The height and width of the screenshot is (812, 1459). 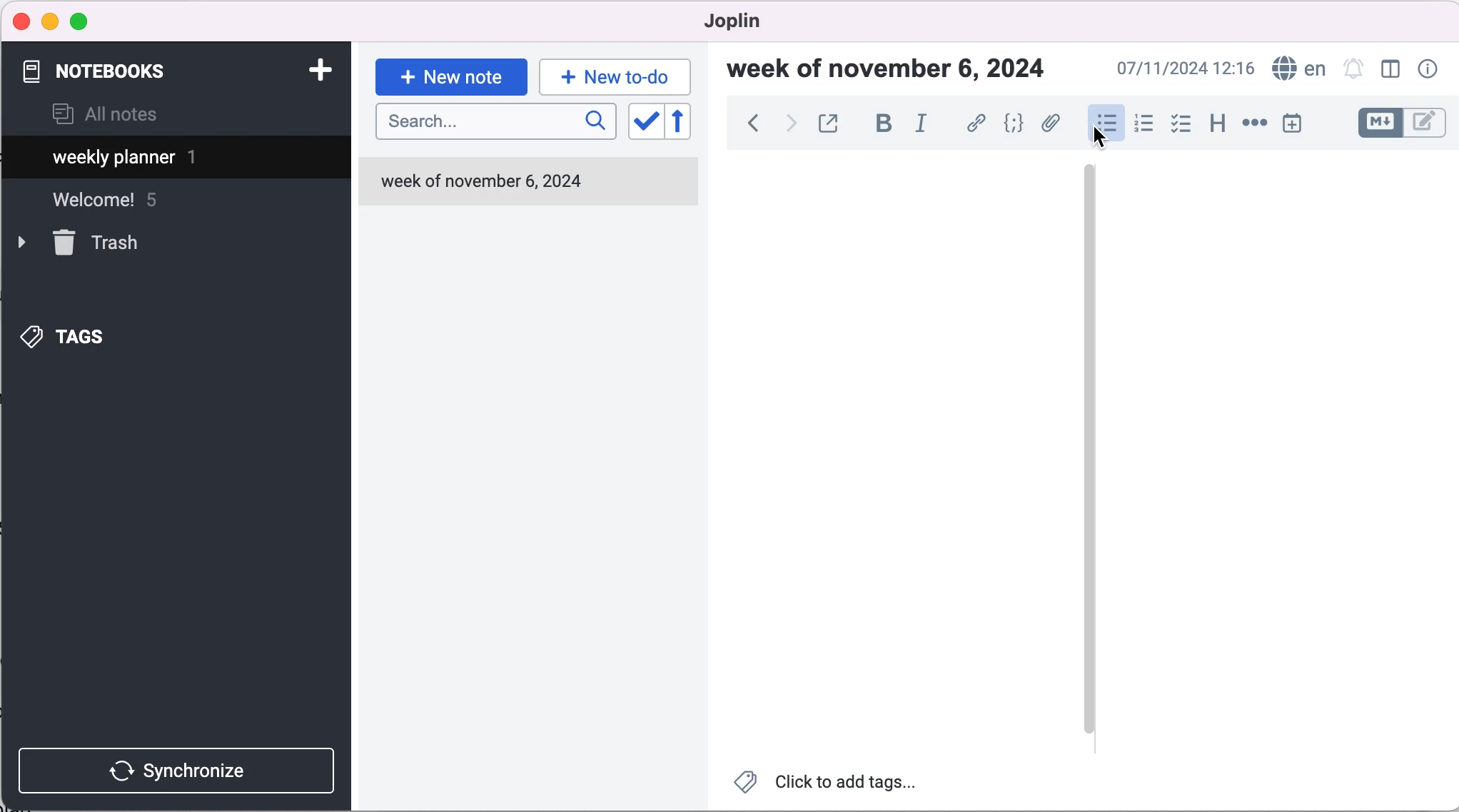 What do you see at coordinates (180, 770) in the screenshot?
I see `synchronize` at bounding box center [180, 770].